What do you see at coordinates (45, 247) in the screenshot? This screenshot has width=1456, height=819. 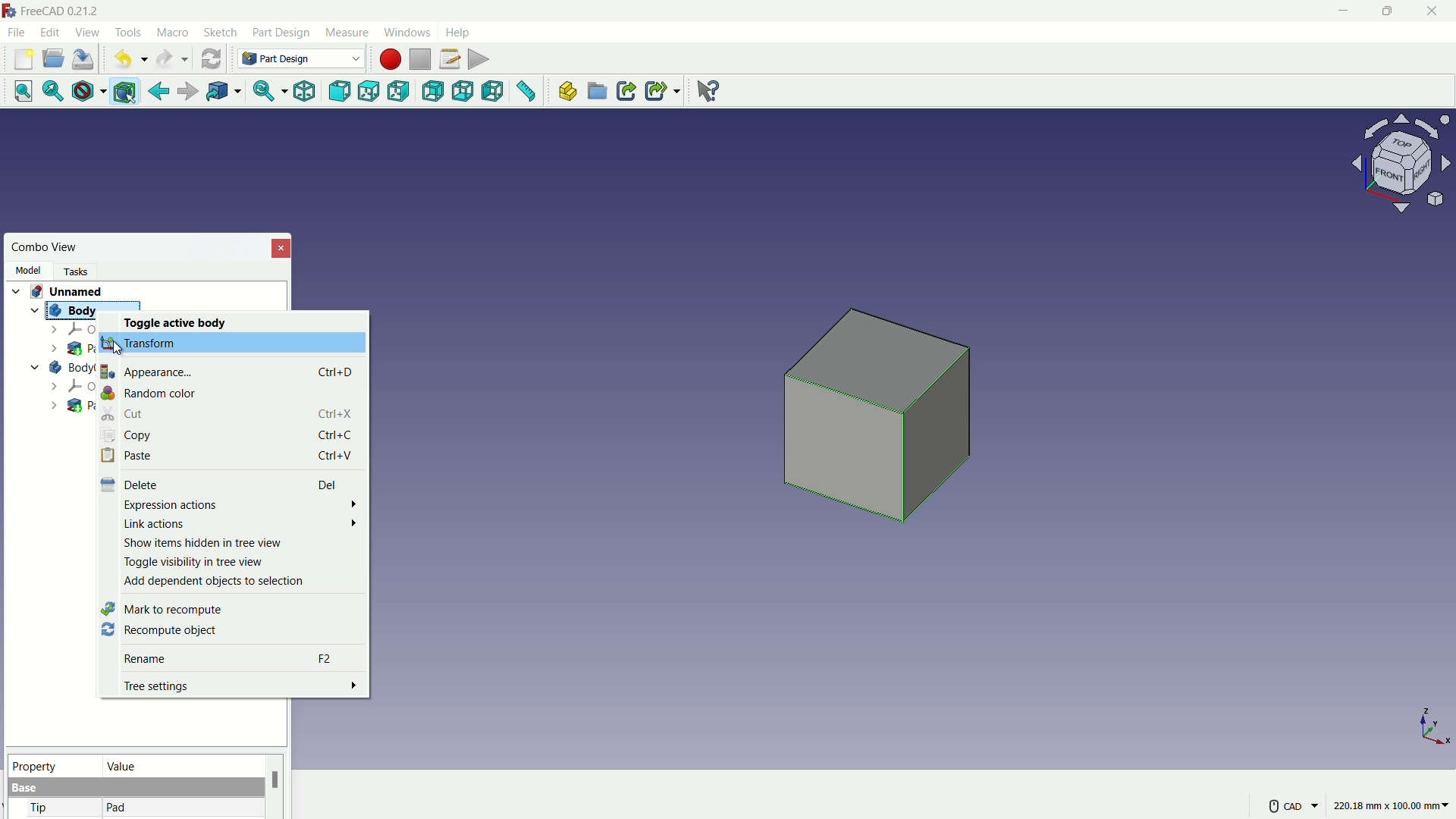 I see `combo view` at bounding box center [45, 247].